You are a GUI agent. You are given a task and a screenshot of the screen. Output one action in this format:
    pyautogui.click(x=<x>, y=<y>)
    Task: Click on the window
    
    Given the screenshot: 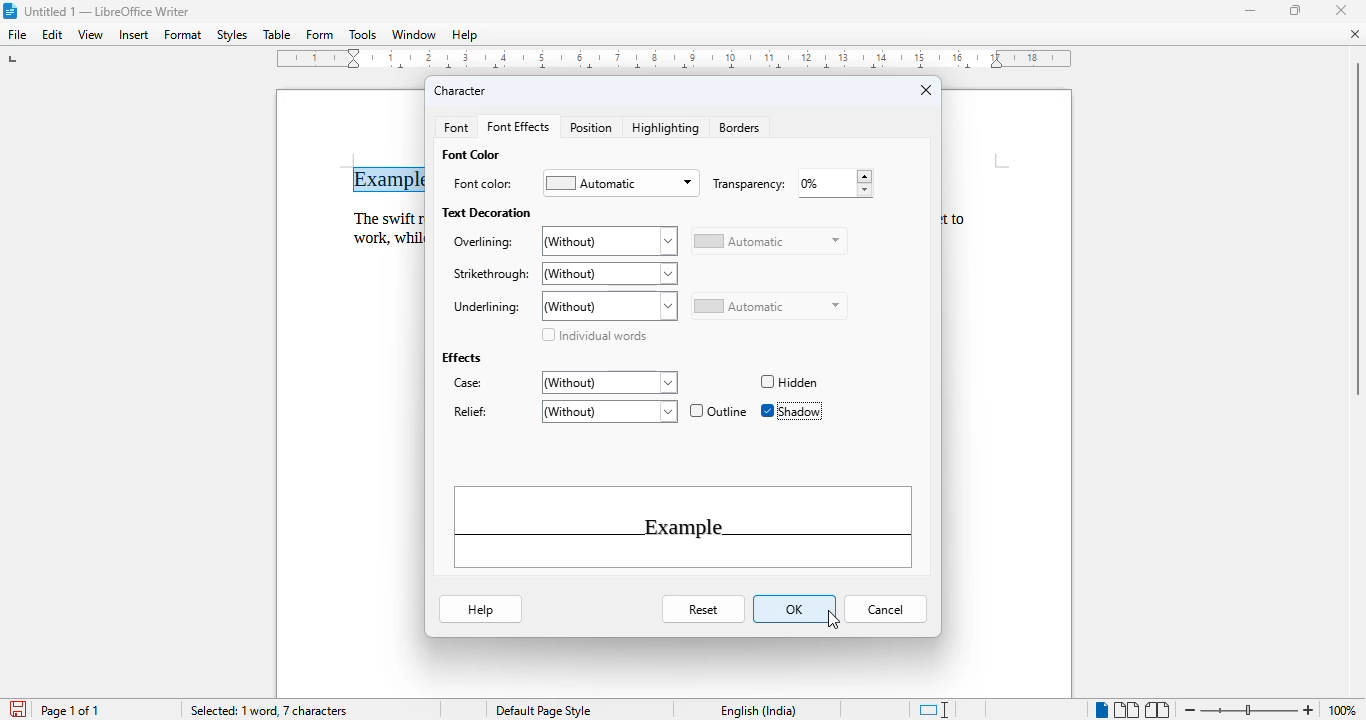 What is the action you would take?
    pyautogui.click(x=414, y=34)
    